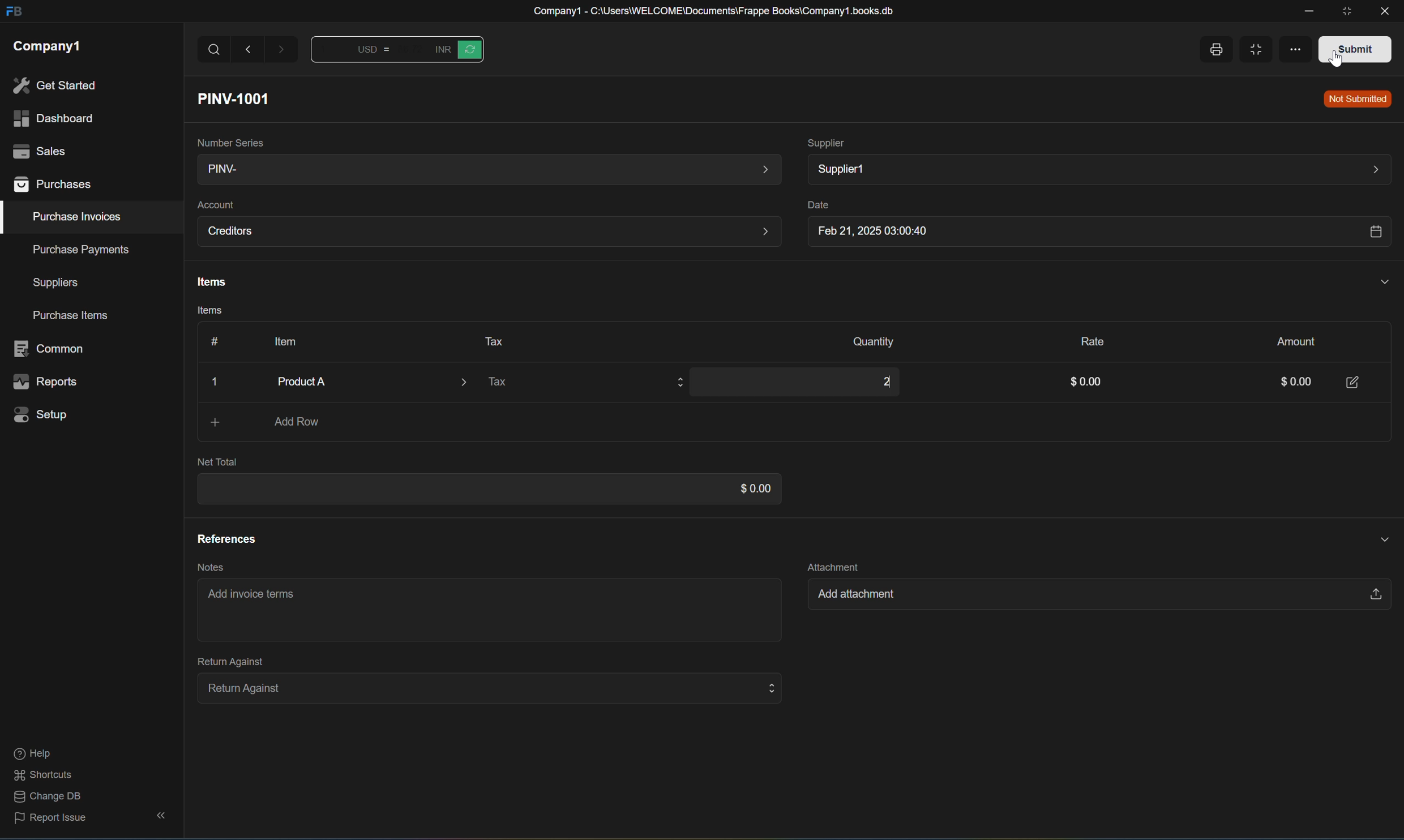 The image size is (1404, 840). I want to click on Quantity, so click(867, 342).